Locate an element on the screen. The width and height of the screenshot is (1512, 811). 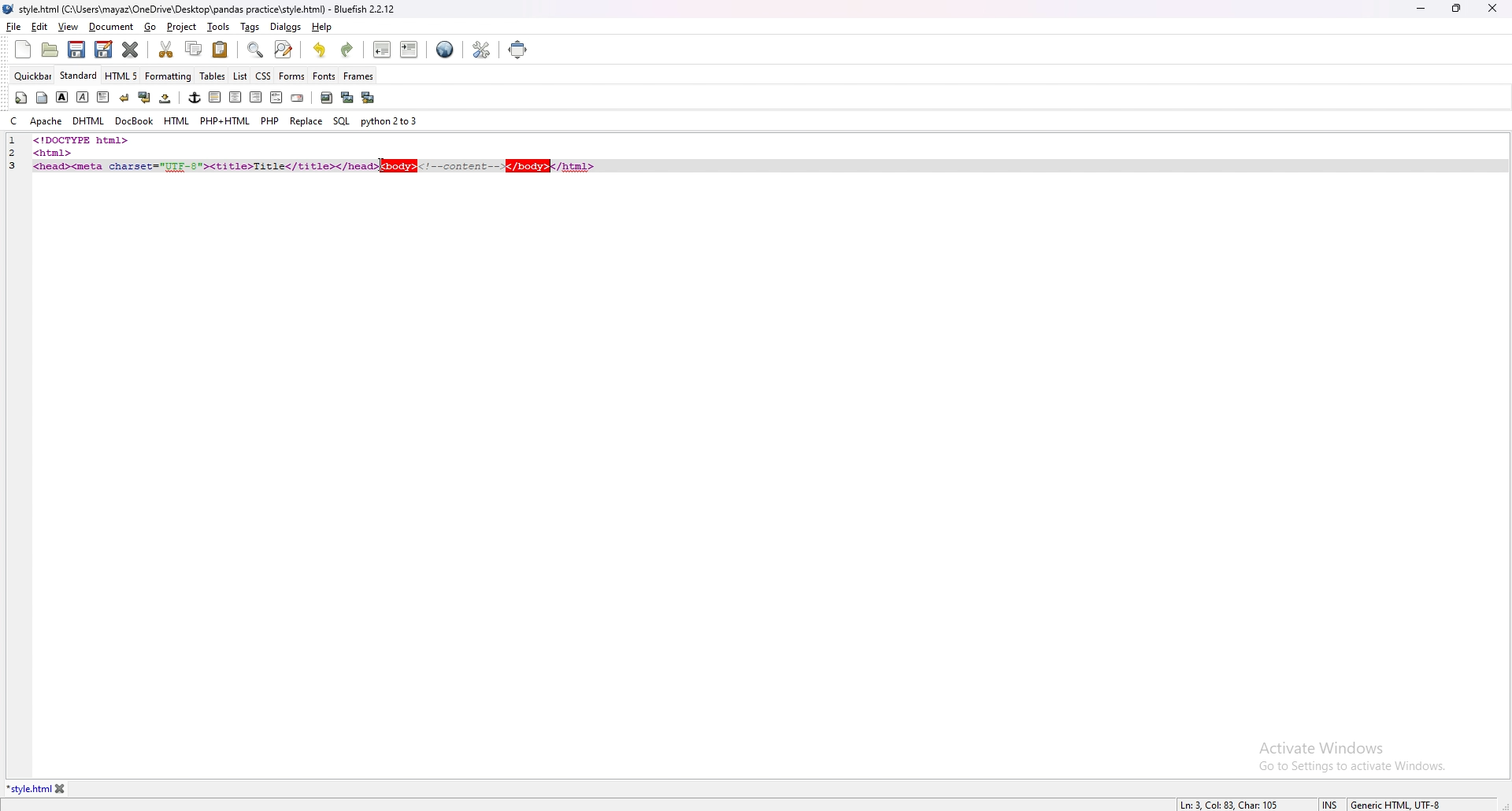
file name is located at coordinates (202, 10).